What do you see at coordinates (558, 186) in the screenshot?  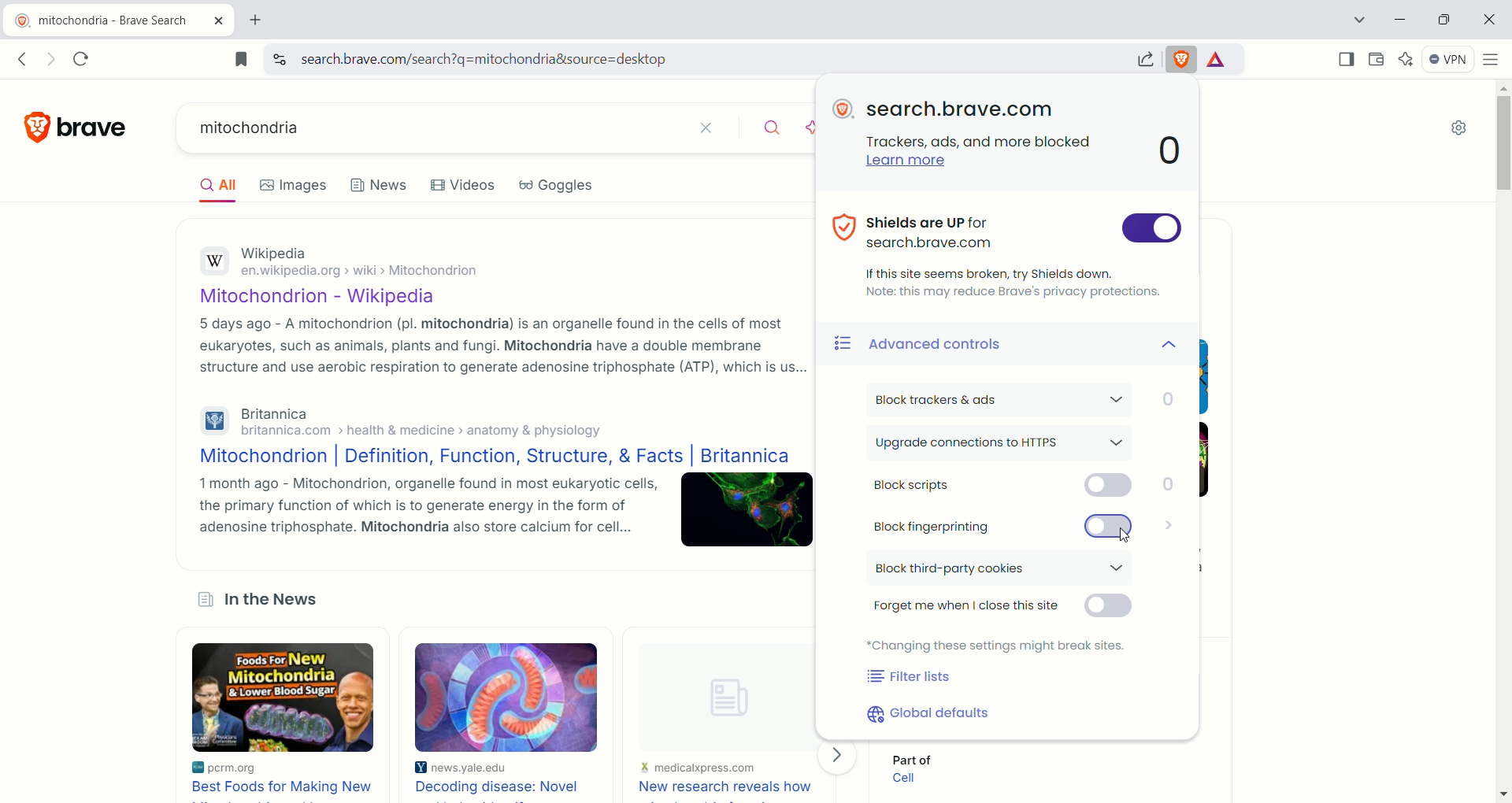 I see `Goggles` at bounding box center [558, 186].